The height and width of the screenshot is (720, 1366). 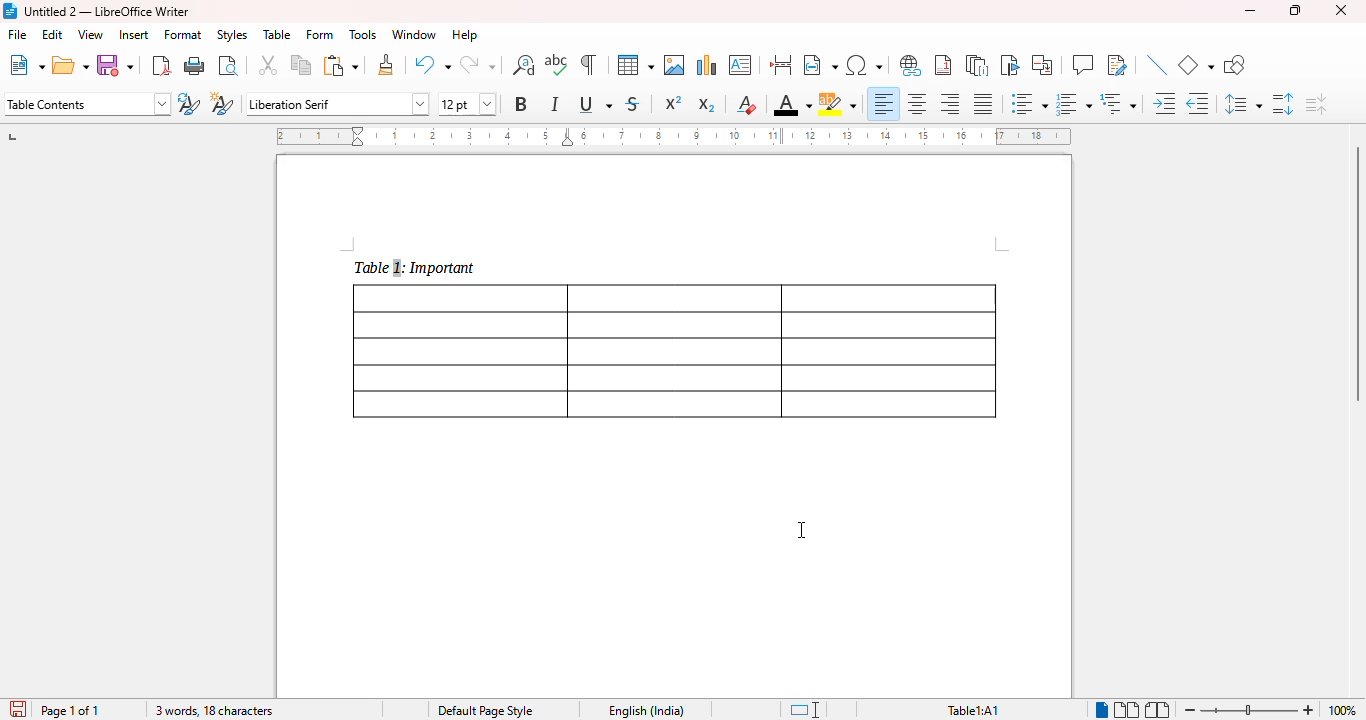 What do you see at coordinates (837, 104) in the screenshot?
I see `character highlighting color` at bounding box center [837, 104].